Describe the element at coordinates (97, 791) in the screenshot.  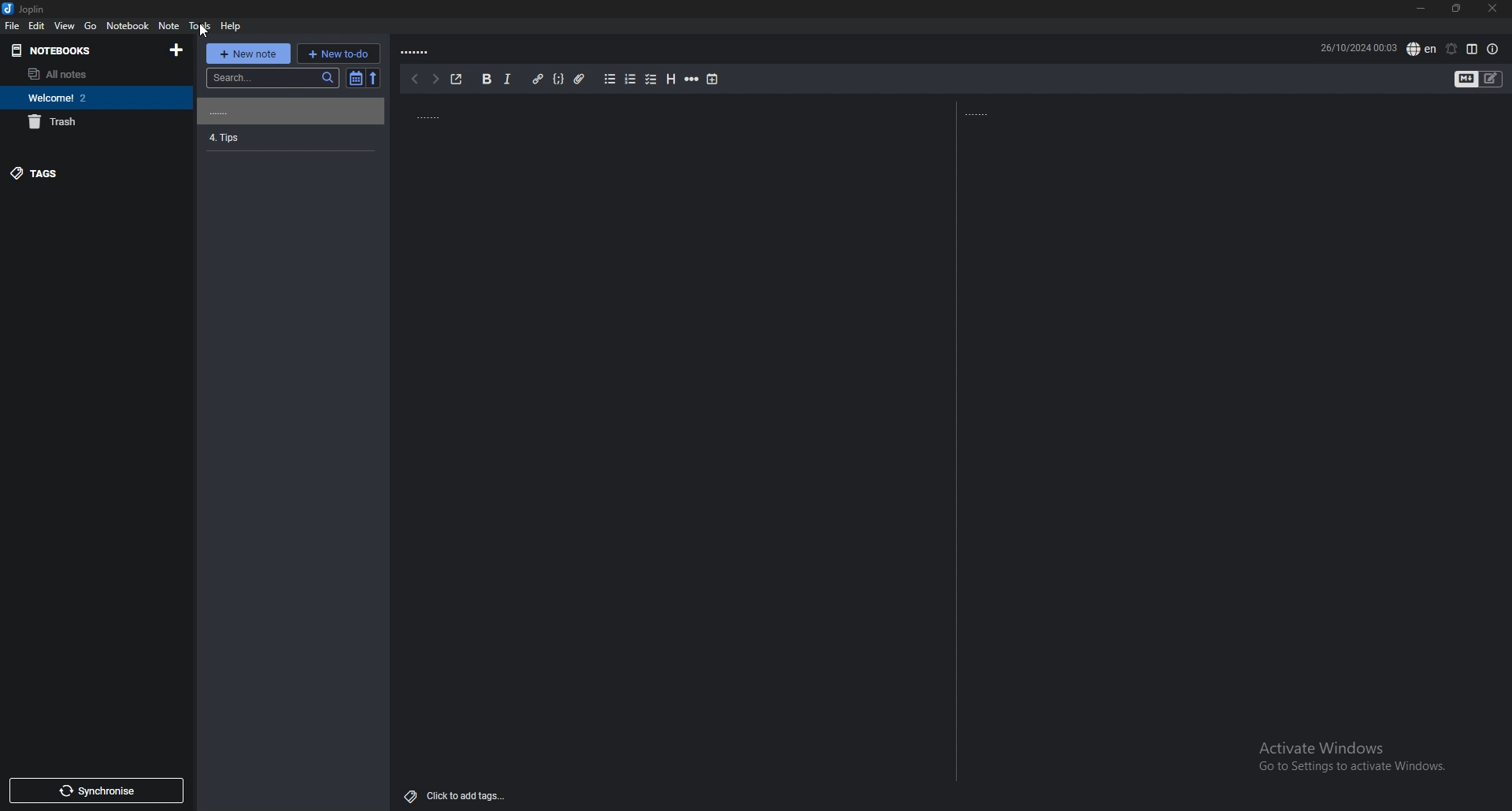
I see `synchronise` at that location.